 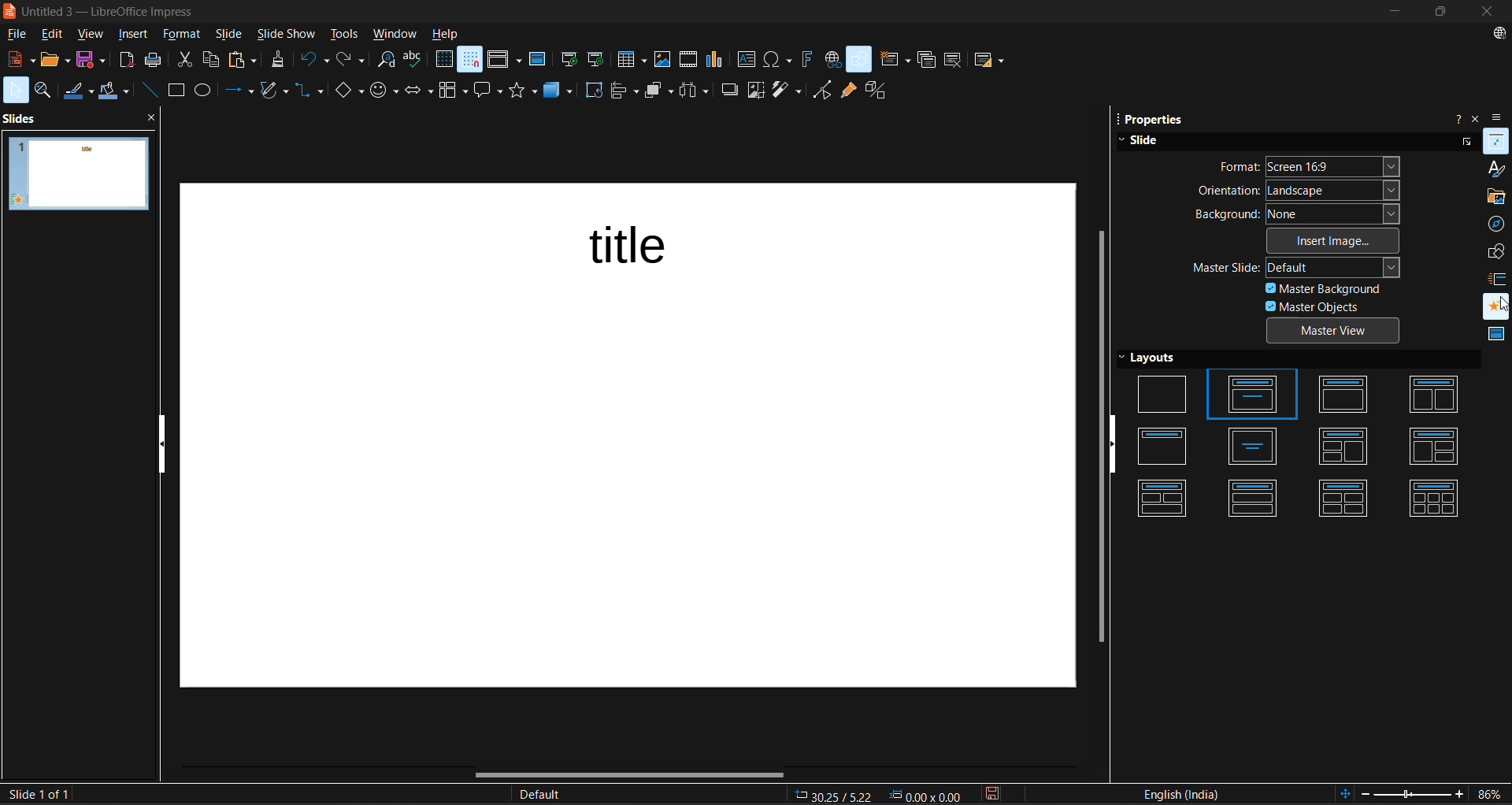 I want to click on slide, so click(x=78, y=174).